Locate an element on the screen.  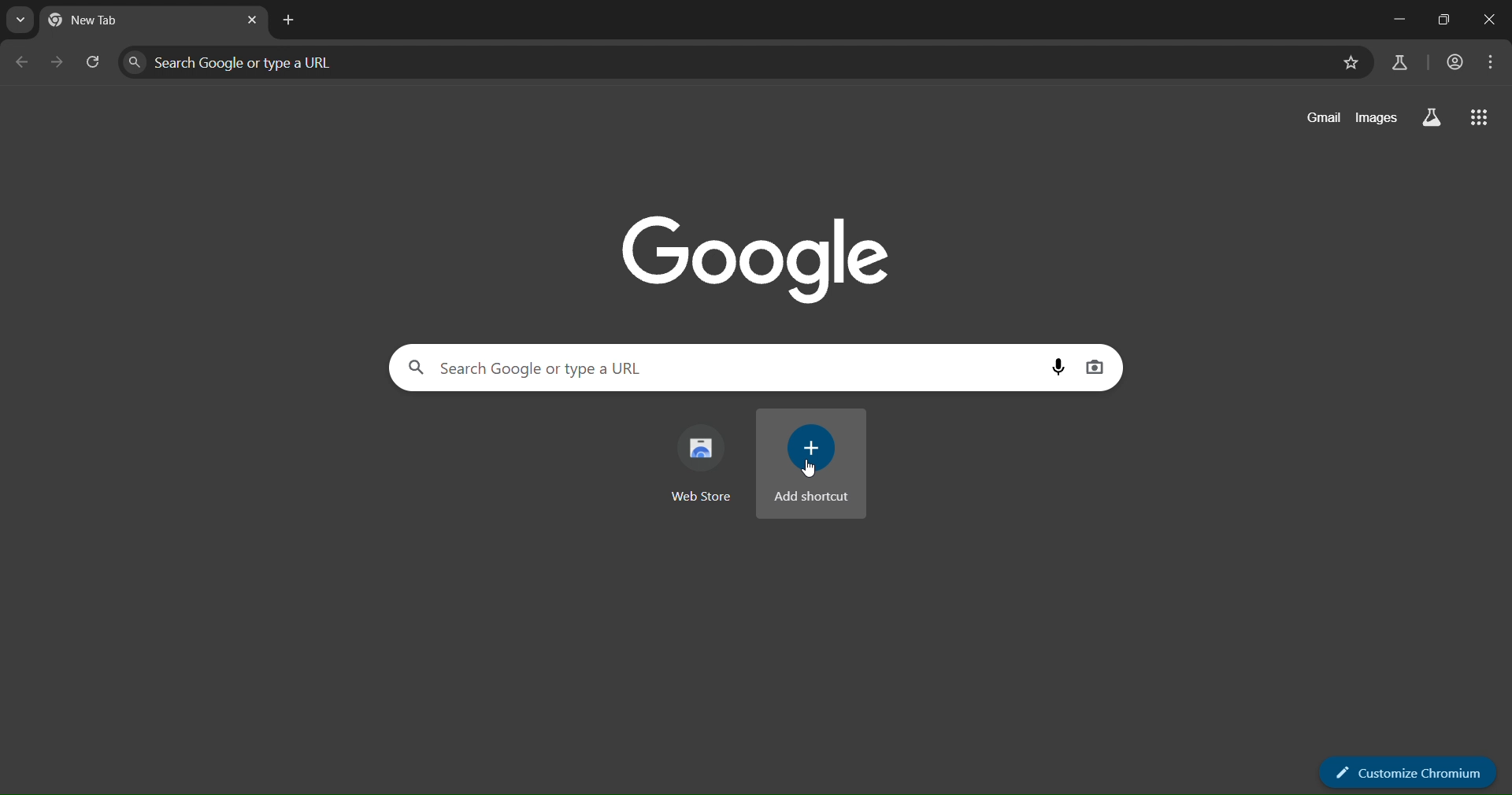
search google or type a URL is located at coordinates (721, 368).